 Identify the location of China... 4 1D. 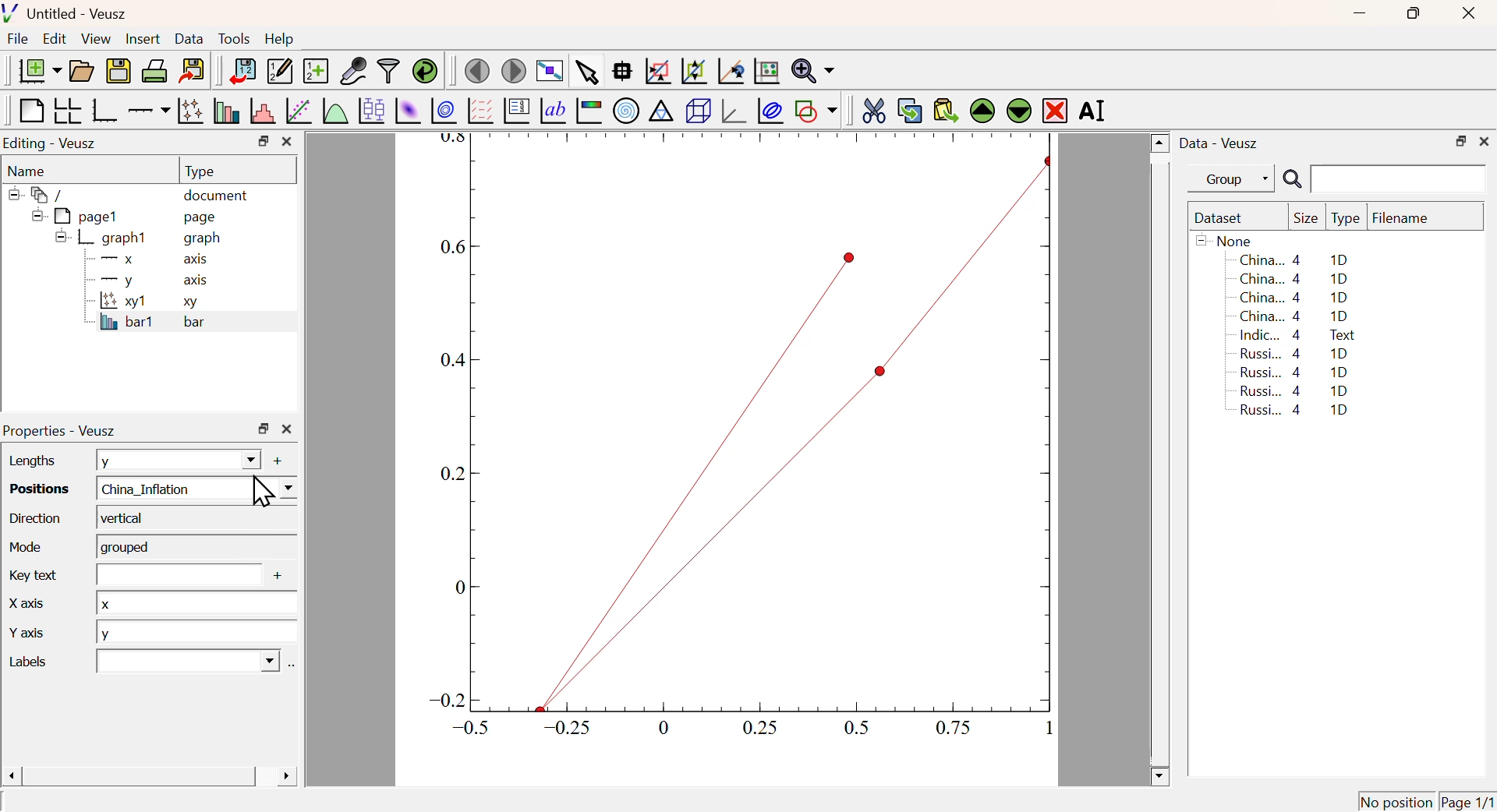
(1294, 316).